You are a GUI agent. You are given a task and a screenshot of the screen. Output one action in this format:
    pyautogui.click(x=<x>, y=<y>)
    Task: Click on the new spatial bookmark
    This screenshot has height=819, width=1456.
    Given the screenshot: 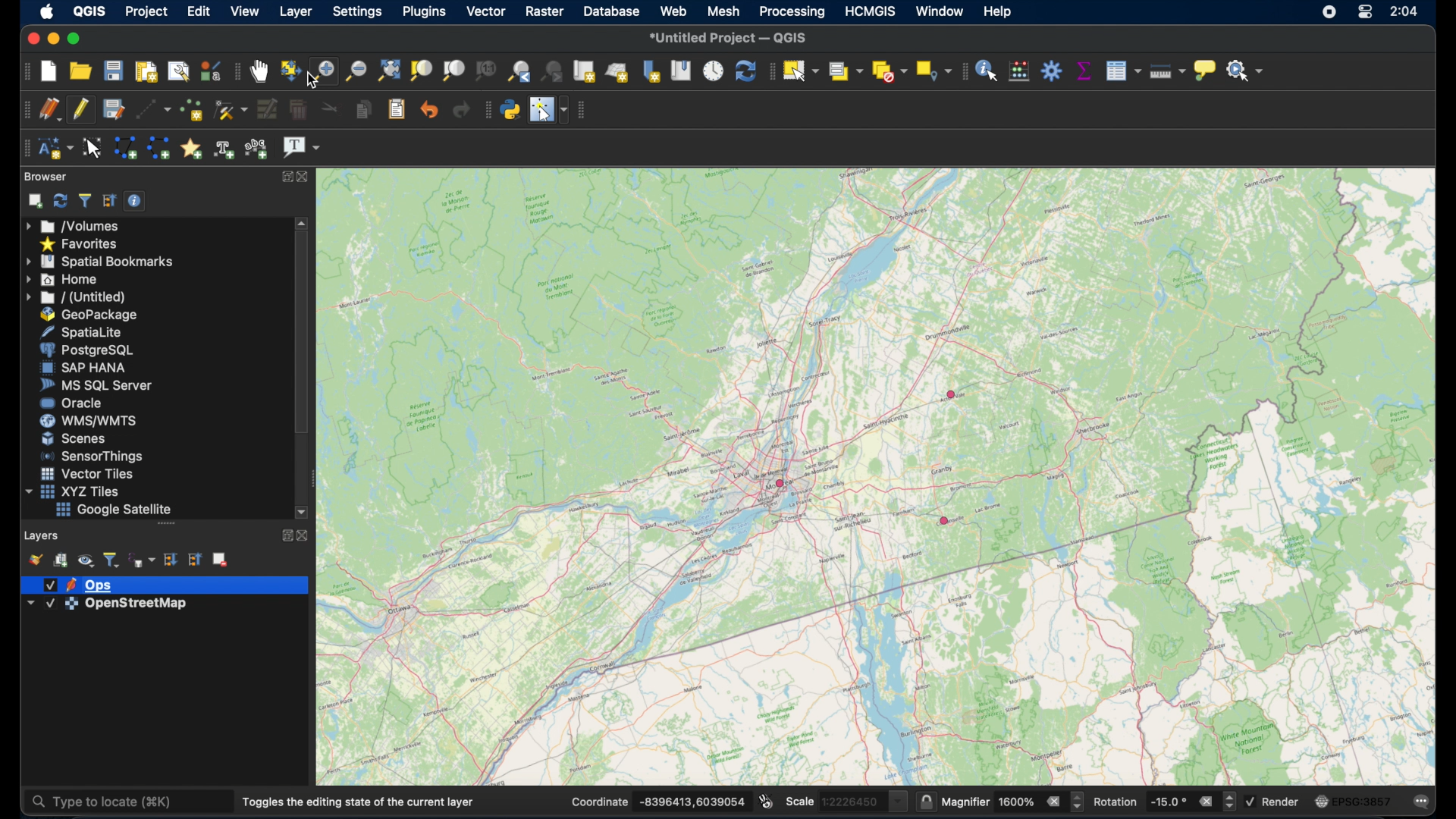 What is the action you would take?
    pyautogui.click(x=651, y=70)
    